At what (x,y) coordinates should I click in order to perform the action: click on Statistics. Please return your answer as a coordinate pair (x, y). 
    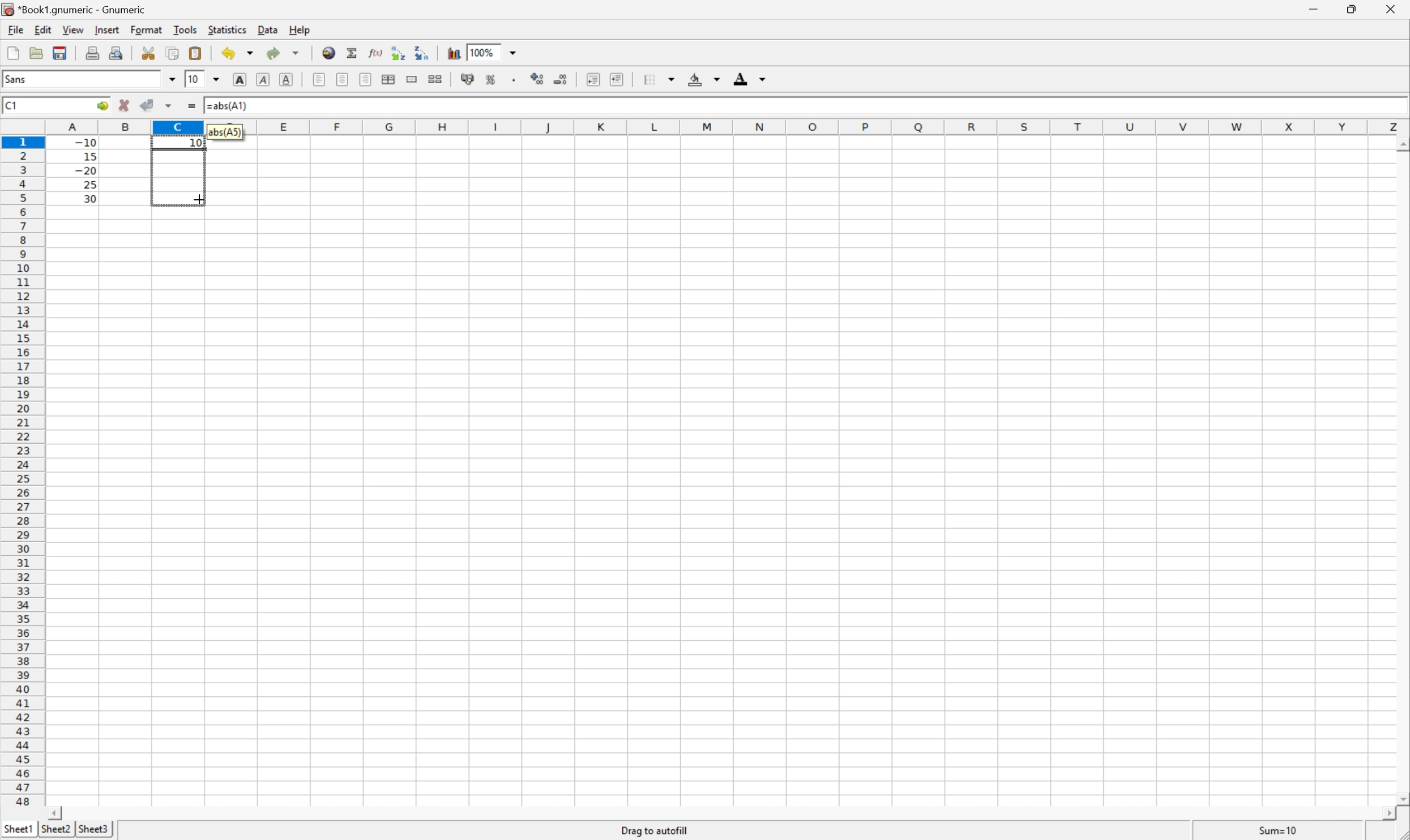
    Looking at the image, I should click on (226, 30).